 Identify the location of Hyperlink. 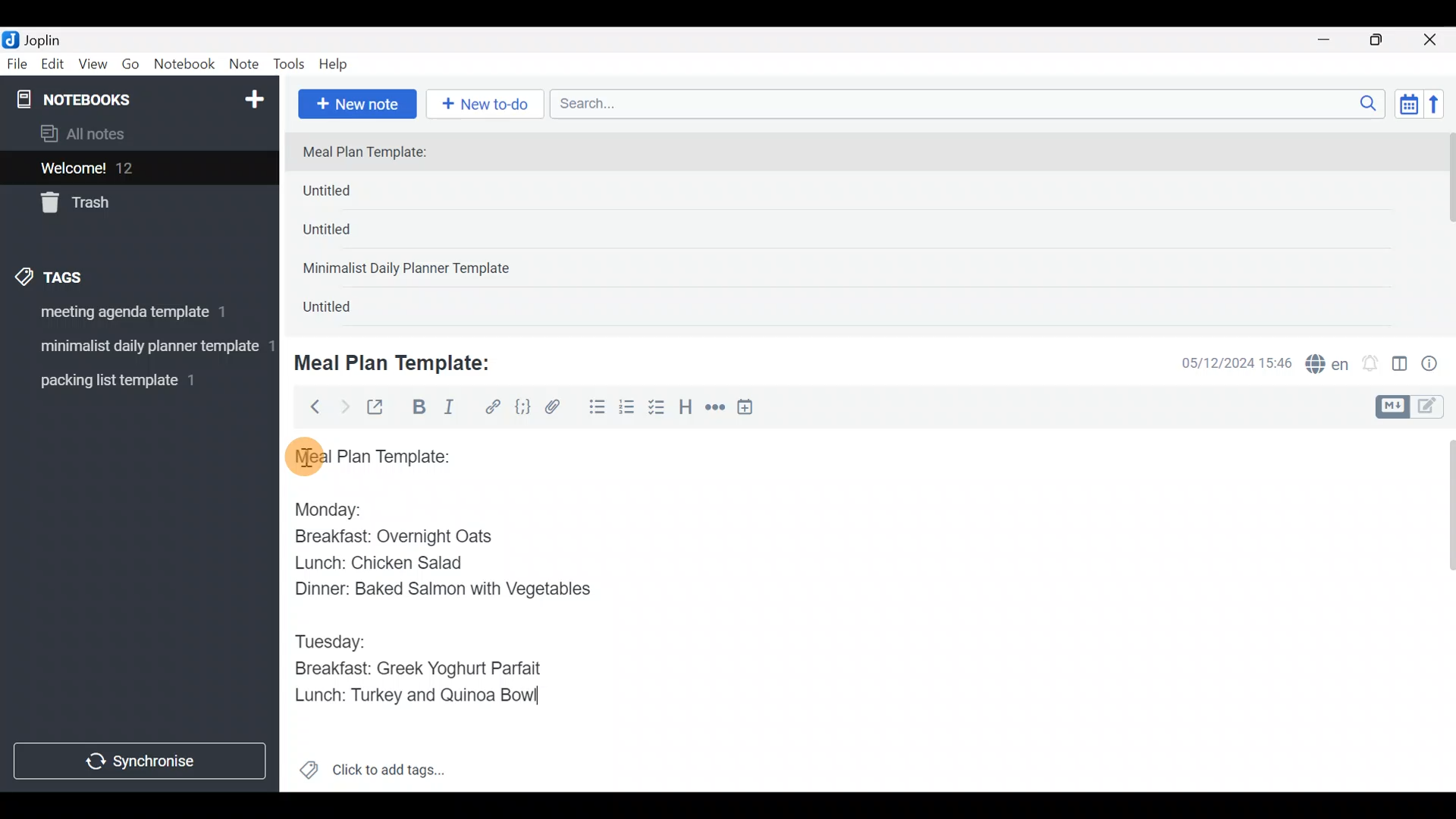
(493, 407).